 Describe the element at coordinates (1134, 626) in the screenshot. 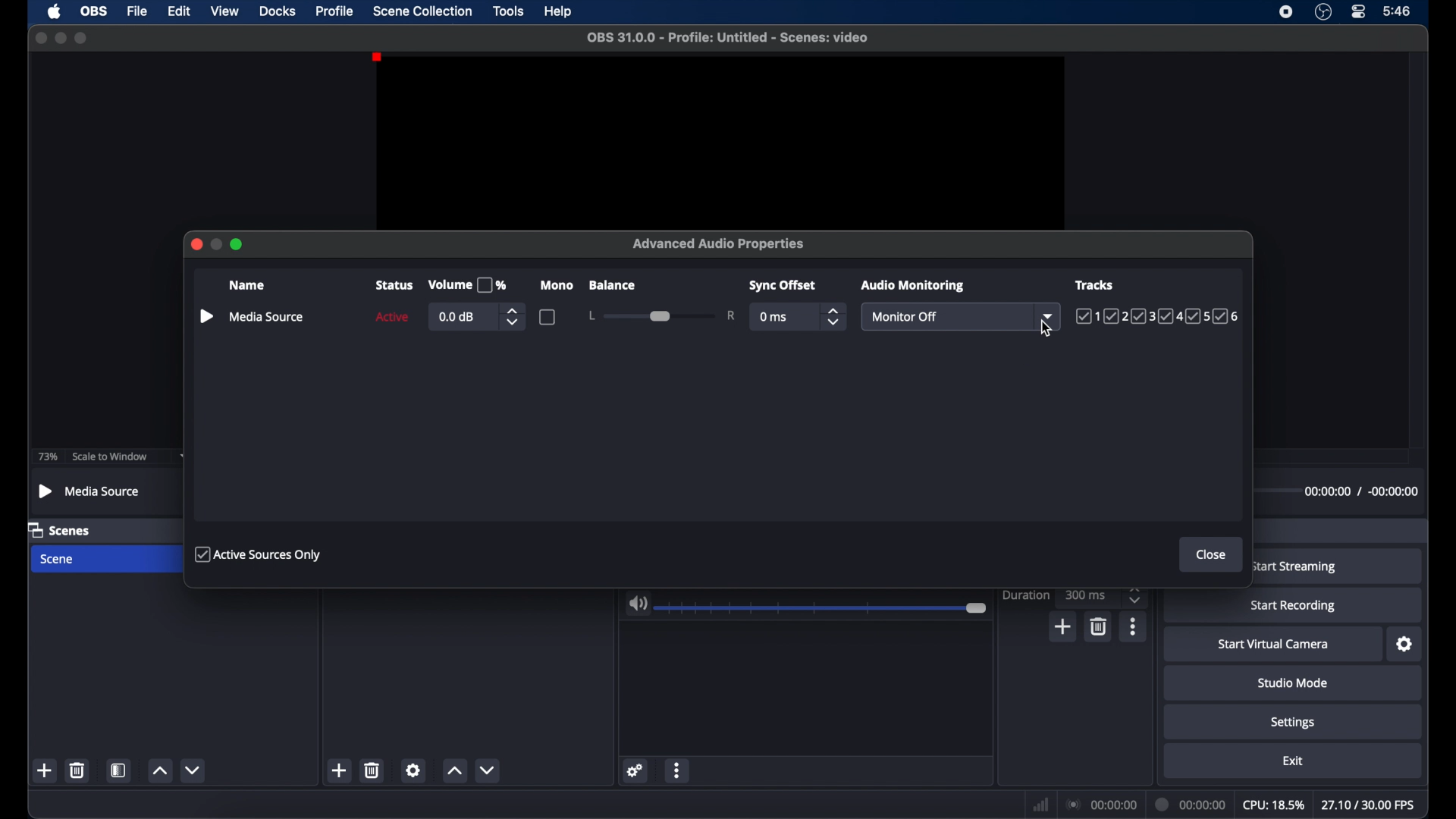

I see `more options` at that location.